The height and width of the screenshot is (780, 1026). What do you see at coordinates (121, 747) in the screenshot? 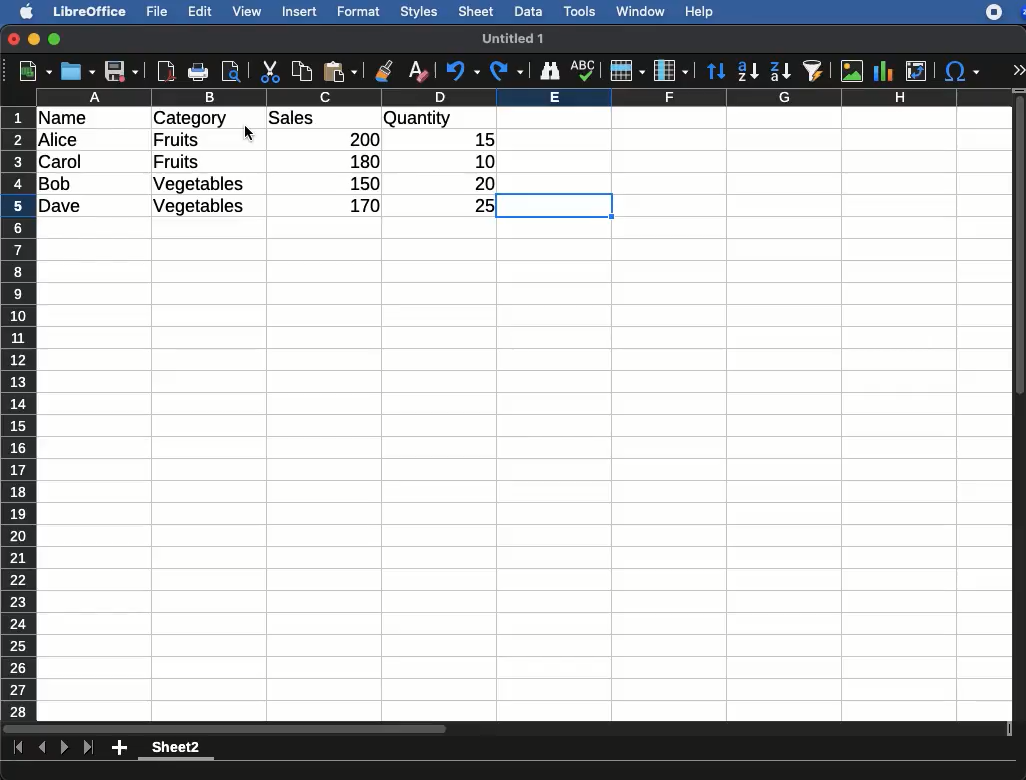
I see `add` at bounding box center [121, 747].